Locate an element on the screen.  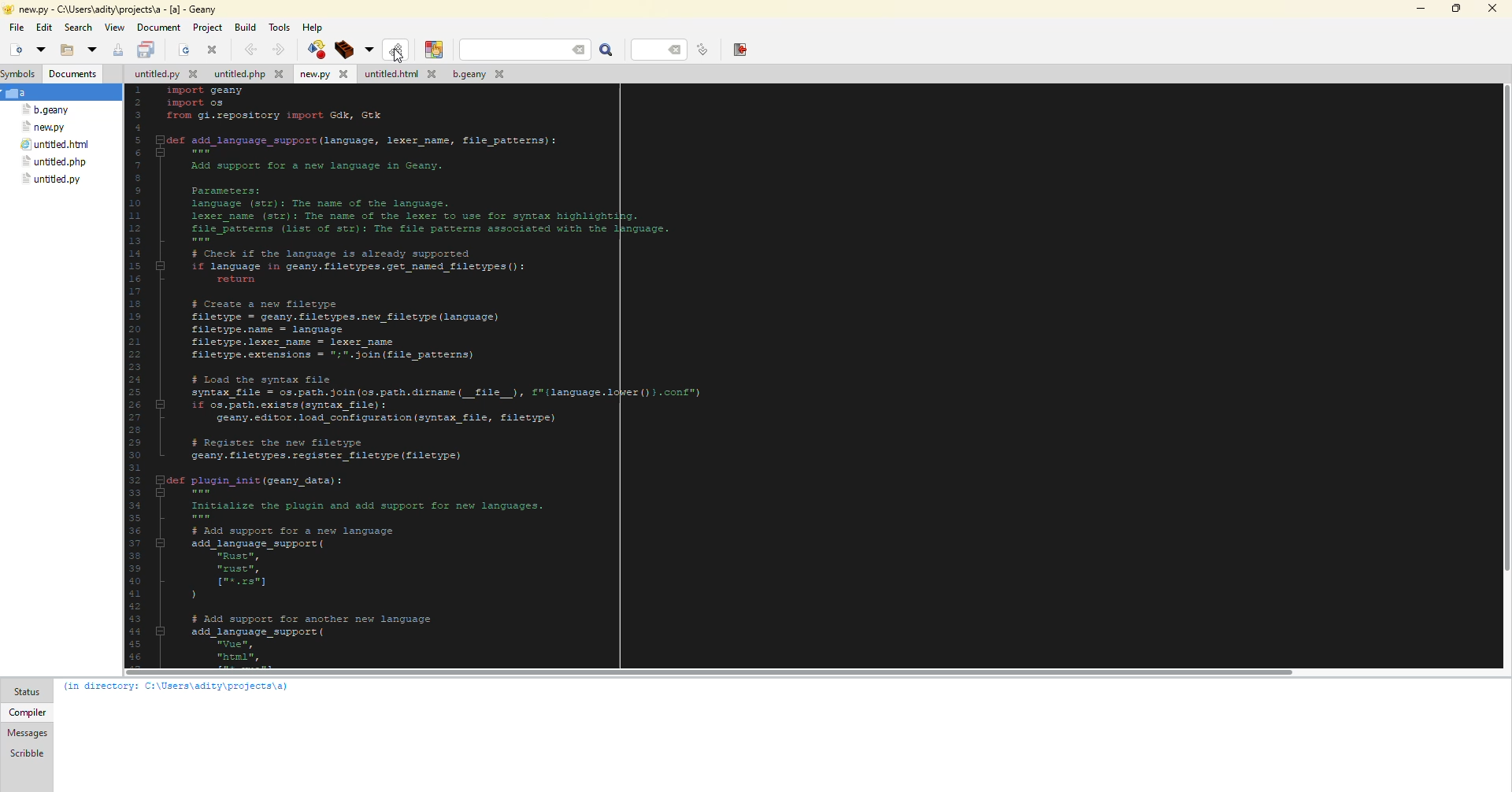
compile is located at coordinates (315, 49).